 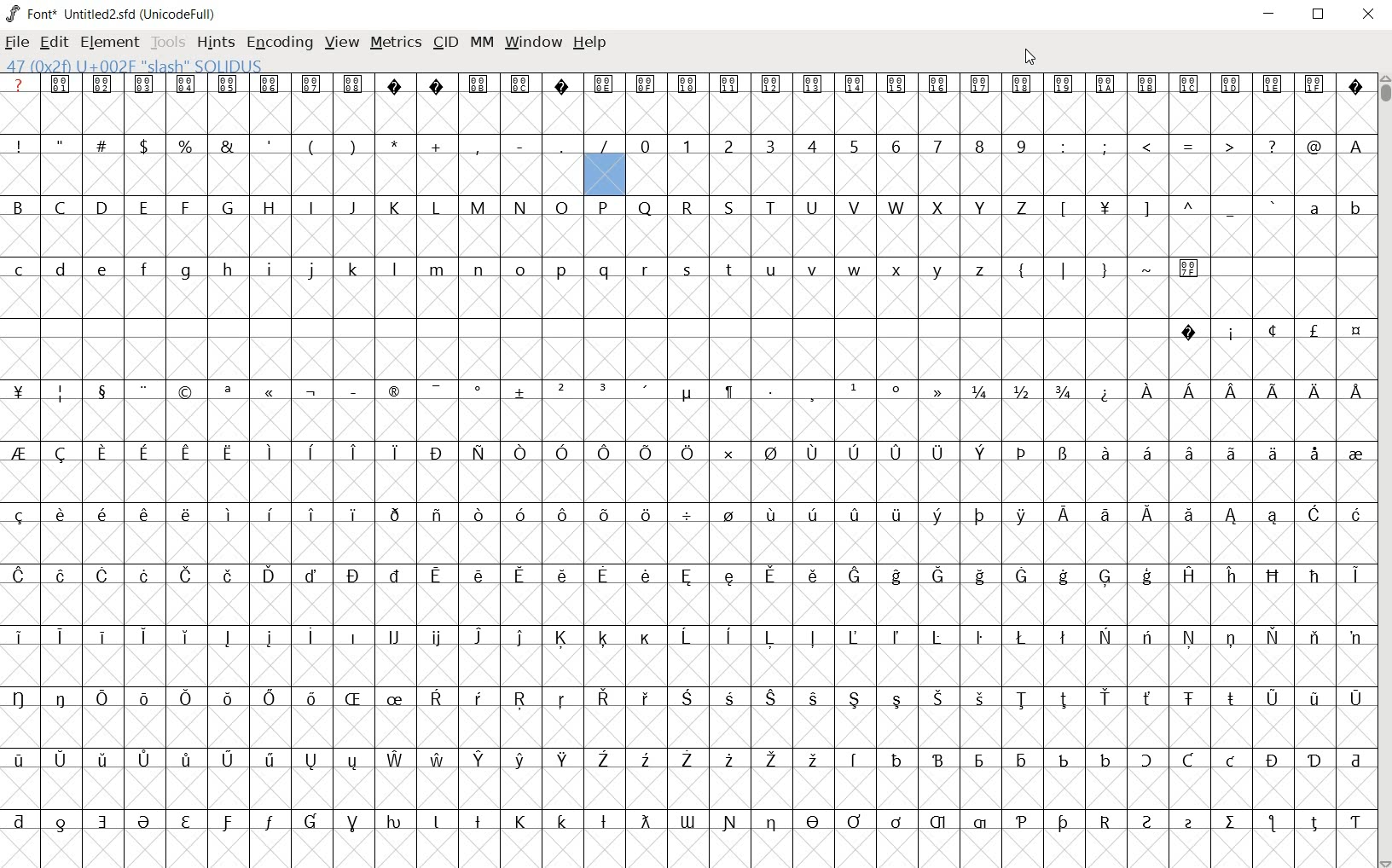 I want to click on empty cells, so click(x=692, y=481).